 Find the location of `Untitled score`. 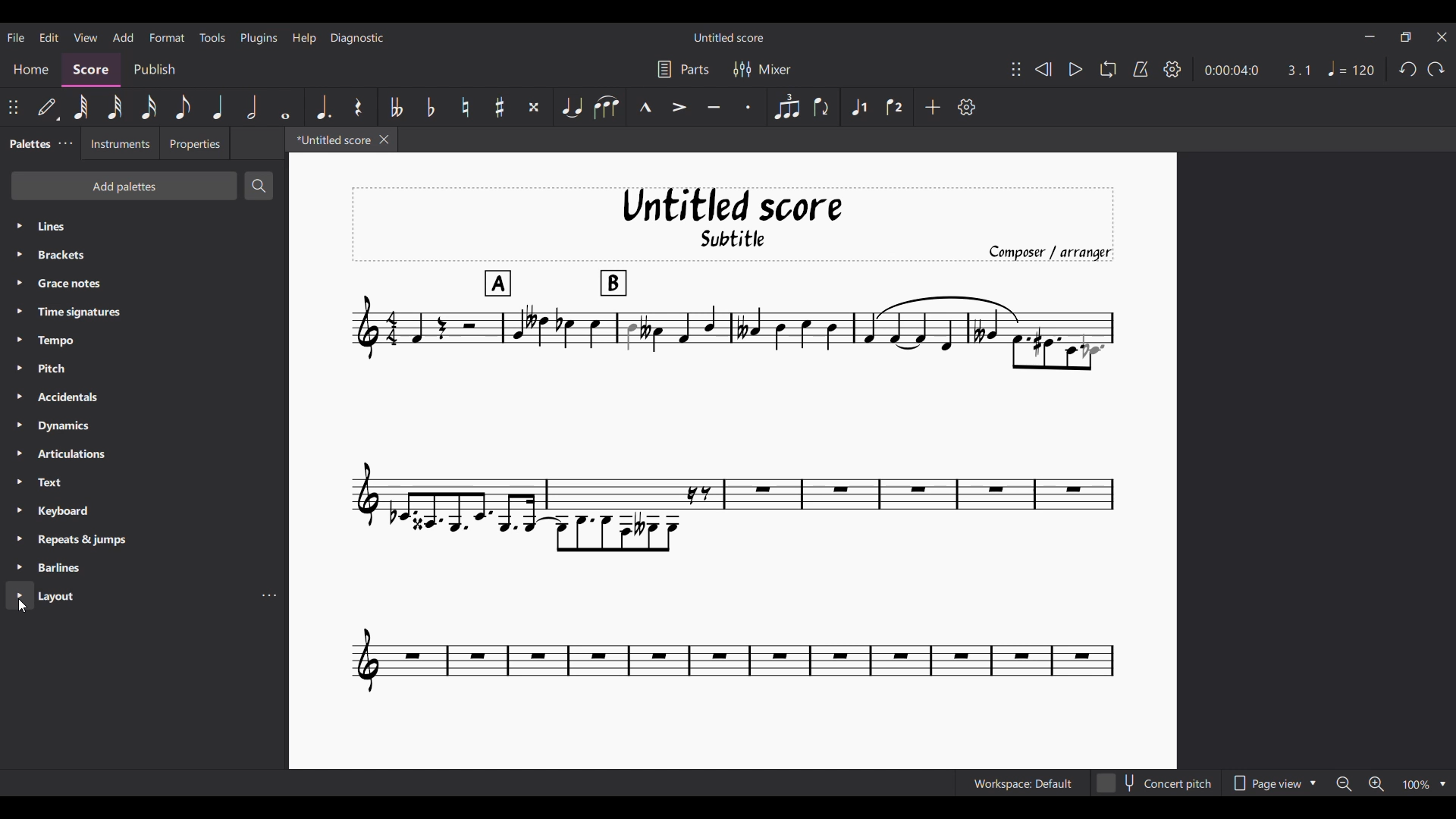

Untitled score is located at coordinates (729, 38).